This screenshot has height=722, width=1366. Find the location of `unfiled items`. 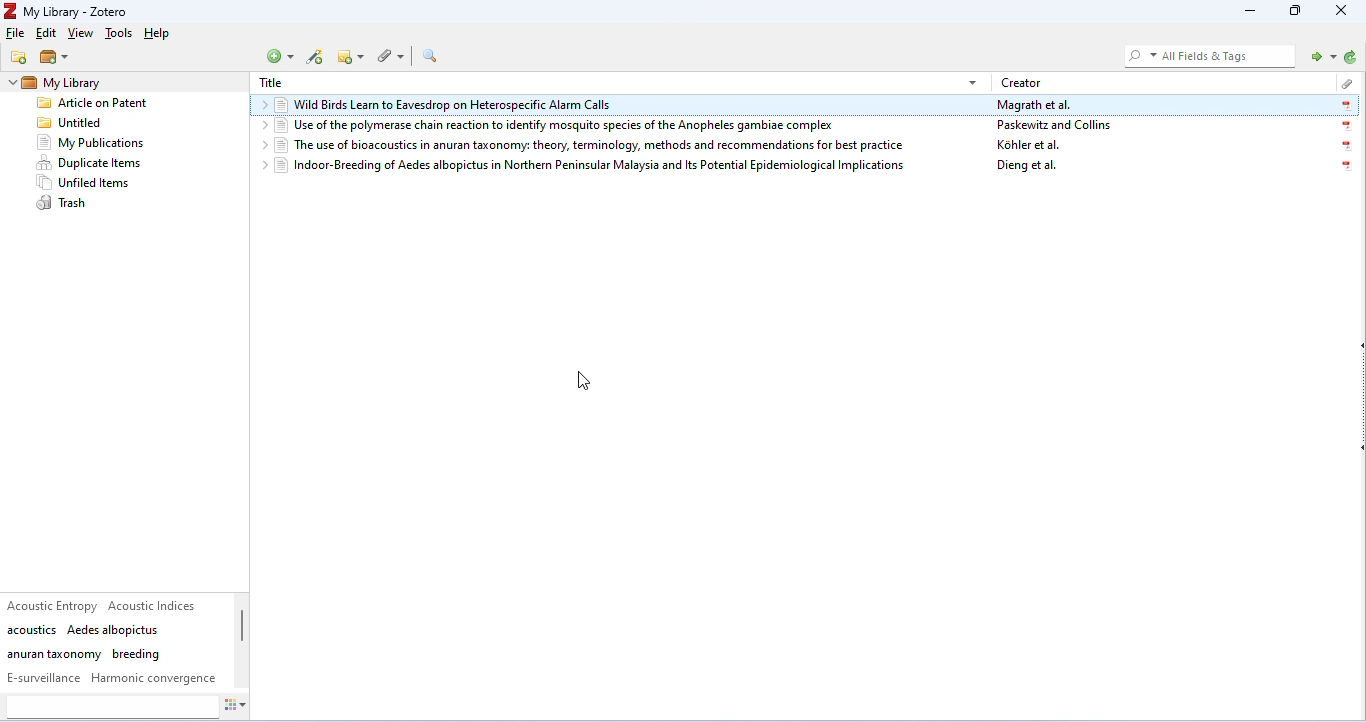

unfiled items is located at coordinates (88, 183).